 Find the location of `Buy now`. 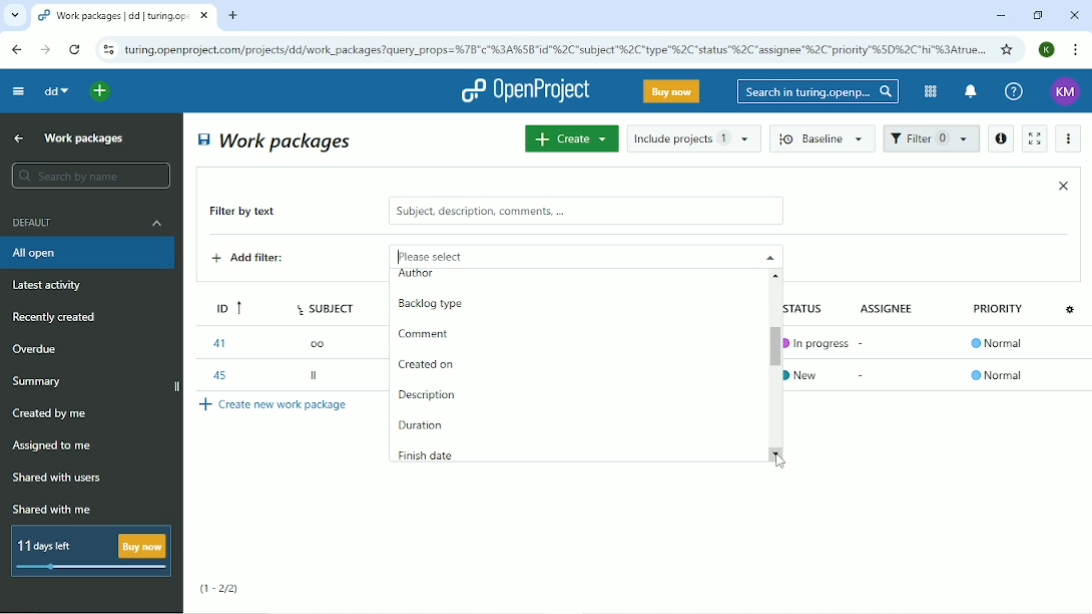

Buy now is located at coordinates (672, 91).